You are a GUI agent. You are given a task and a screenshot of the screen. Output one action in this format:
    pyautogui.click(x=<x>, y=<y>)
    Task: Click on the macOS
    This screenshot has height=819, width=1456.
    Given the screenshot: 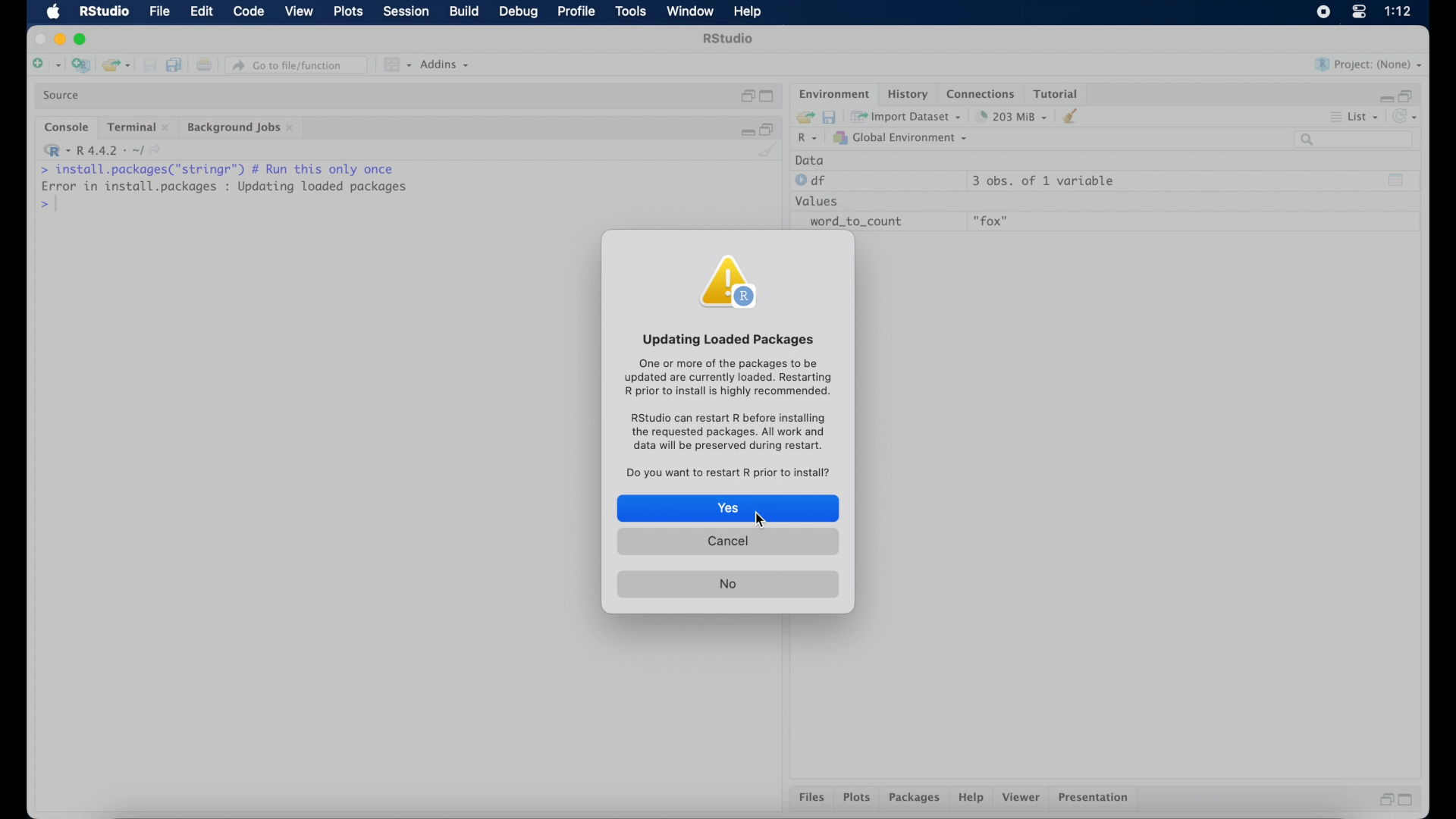 What is the action you would take?
    pyautogui.click(x=53, y=12)
    